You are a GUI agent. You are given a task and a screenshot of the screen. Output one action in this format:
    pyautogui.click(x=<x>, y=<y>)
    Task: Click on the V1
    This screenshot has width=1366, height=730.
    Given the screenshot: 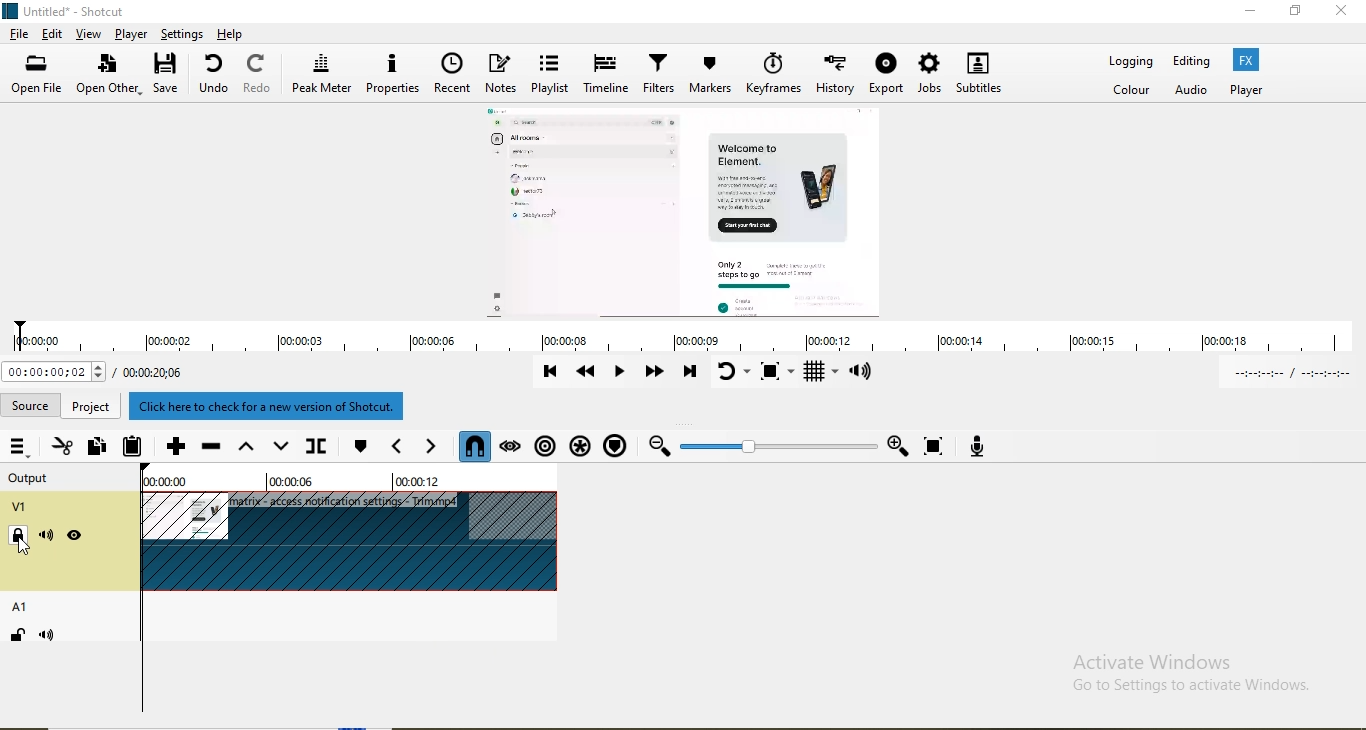 What is the action you would take?
    pyautogui.click(x=21, y=507)
    